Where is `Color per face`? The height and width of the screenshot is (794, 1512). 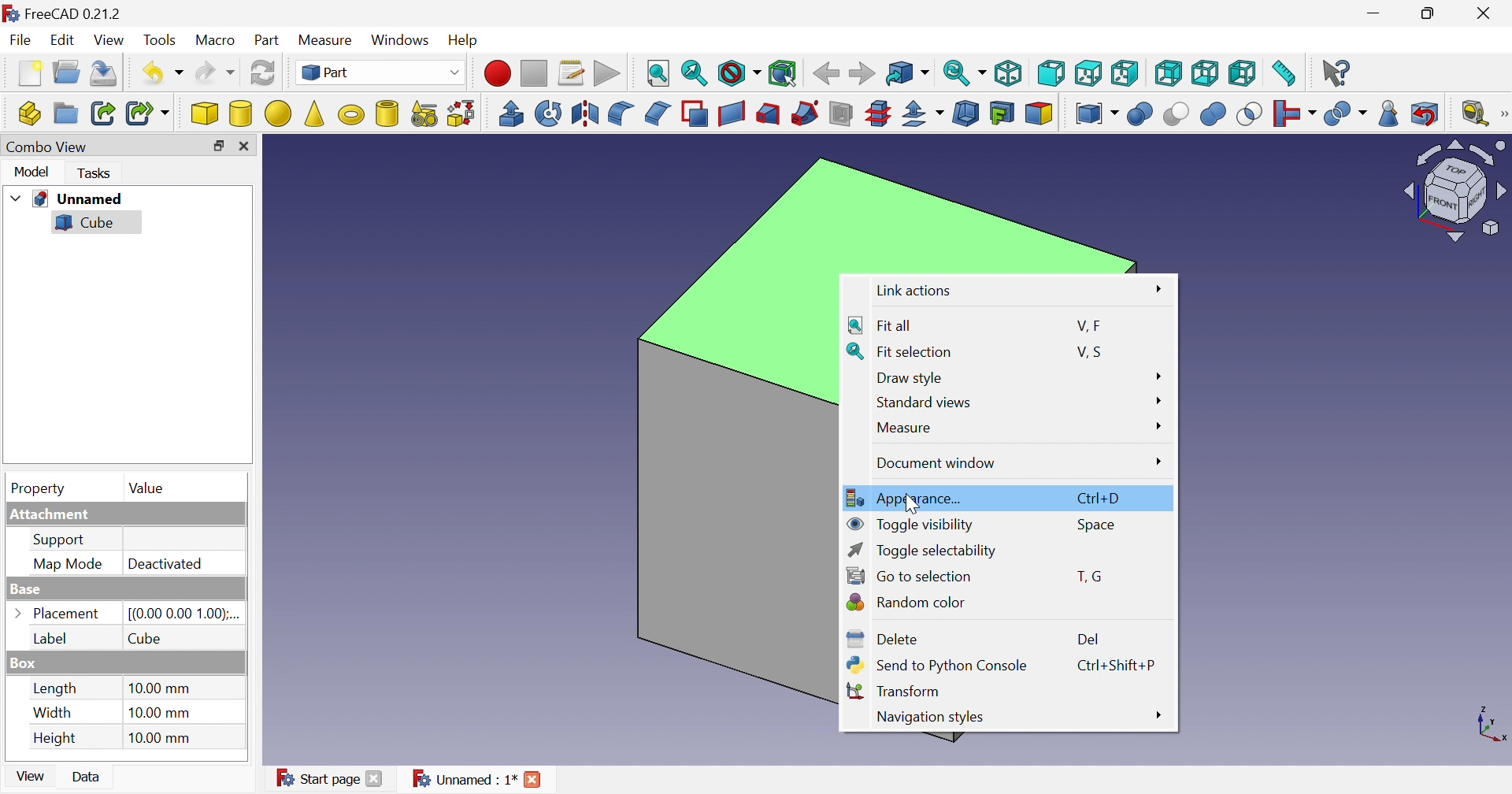 Color per face is located at coordinates (1042, 114).